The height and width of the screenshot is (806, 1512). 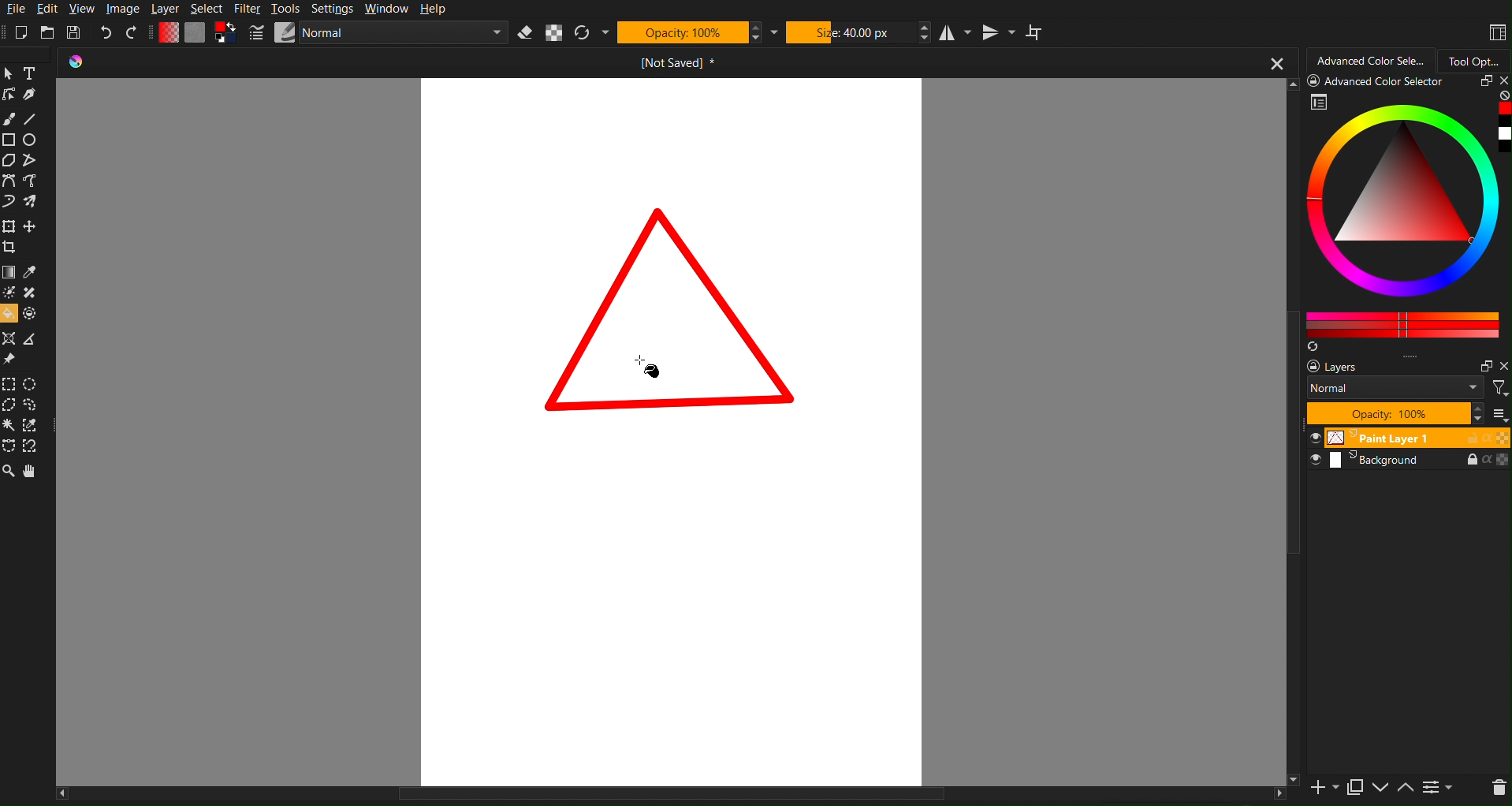 I want to click on move layer up, so click(x=1406, y=789).